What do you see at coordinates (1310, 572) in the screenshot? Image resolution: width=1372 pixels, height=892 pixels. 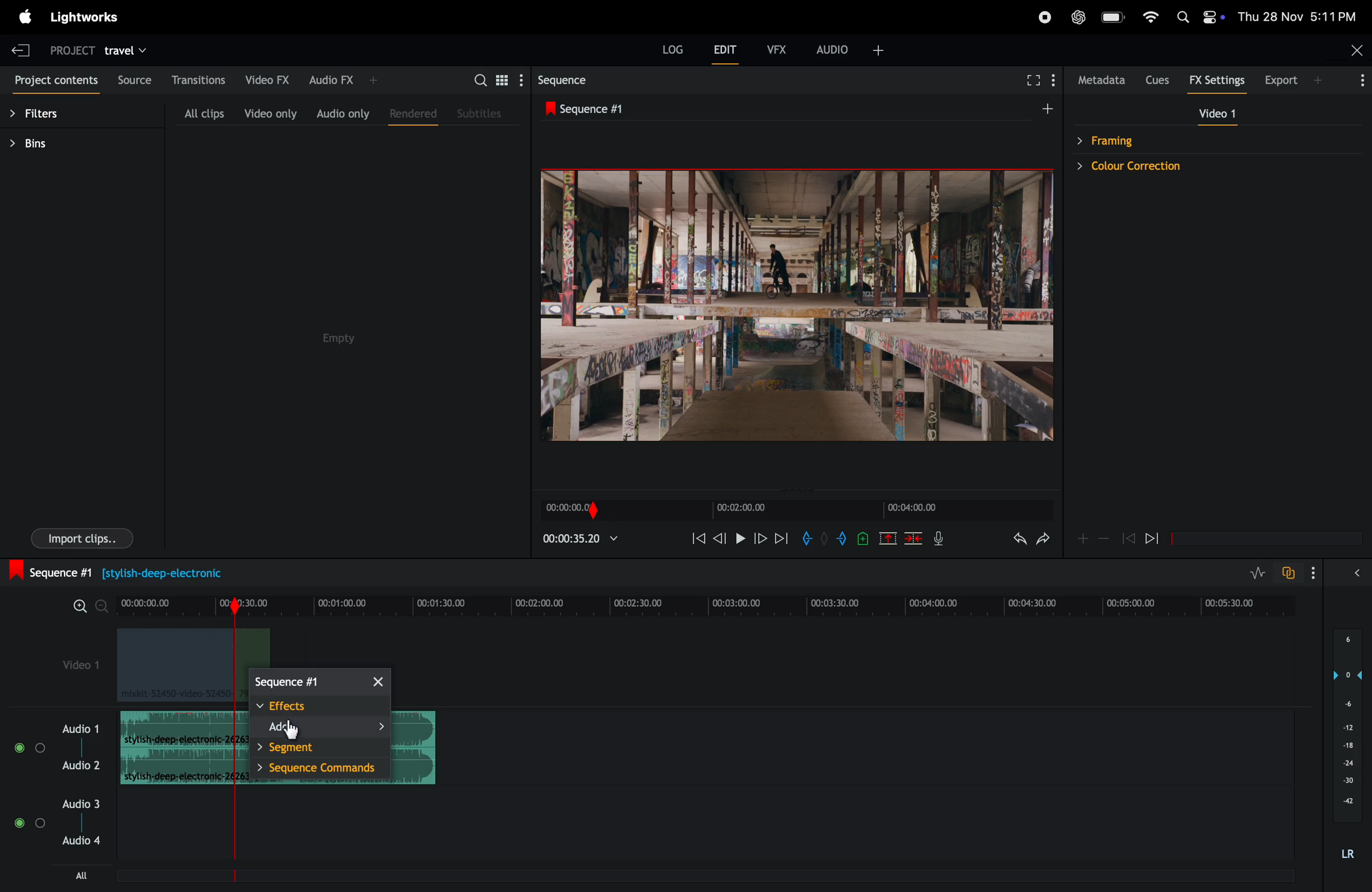 I see `options` at bounding box center [1310, 572].